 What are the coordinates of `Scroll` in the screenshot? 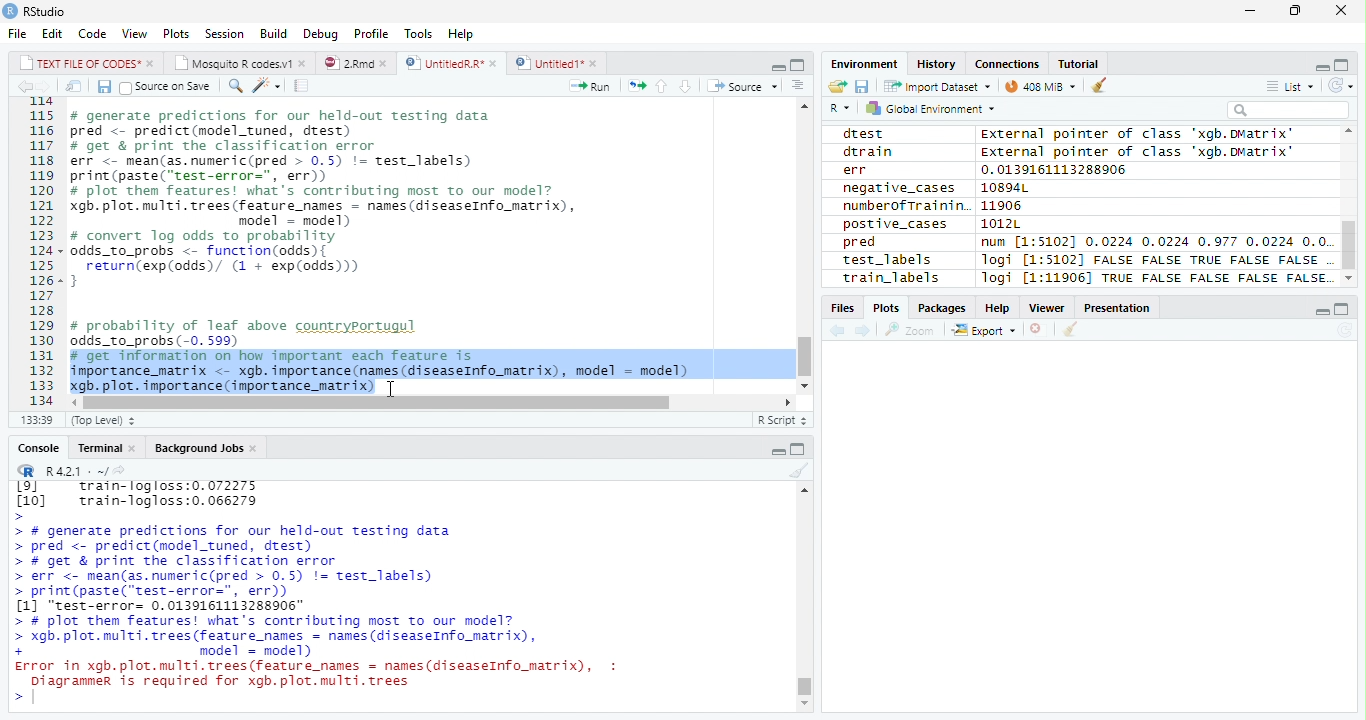 It's located at (805, 245).